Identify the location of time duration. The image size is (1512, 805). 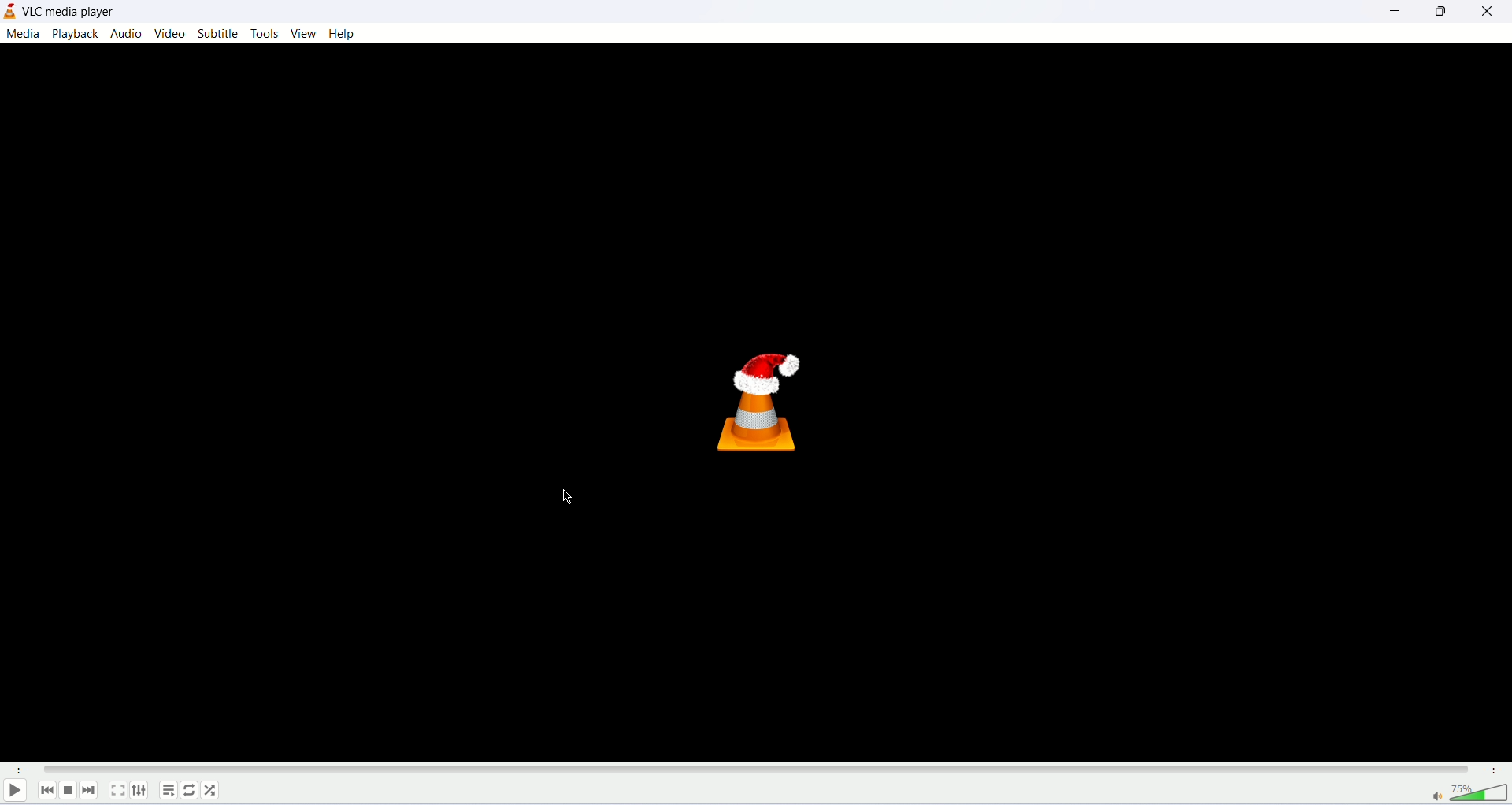
(1495, 770).